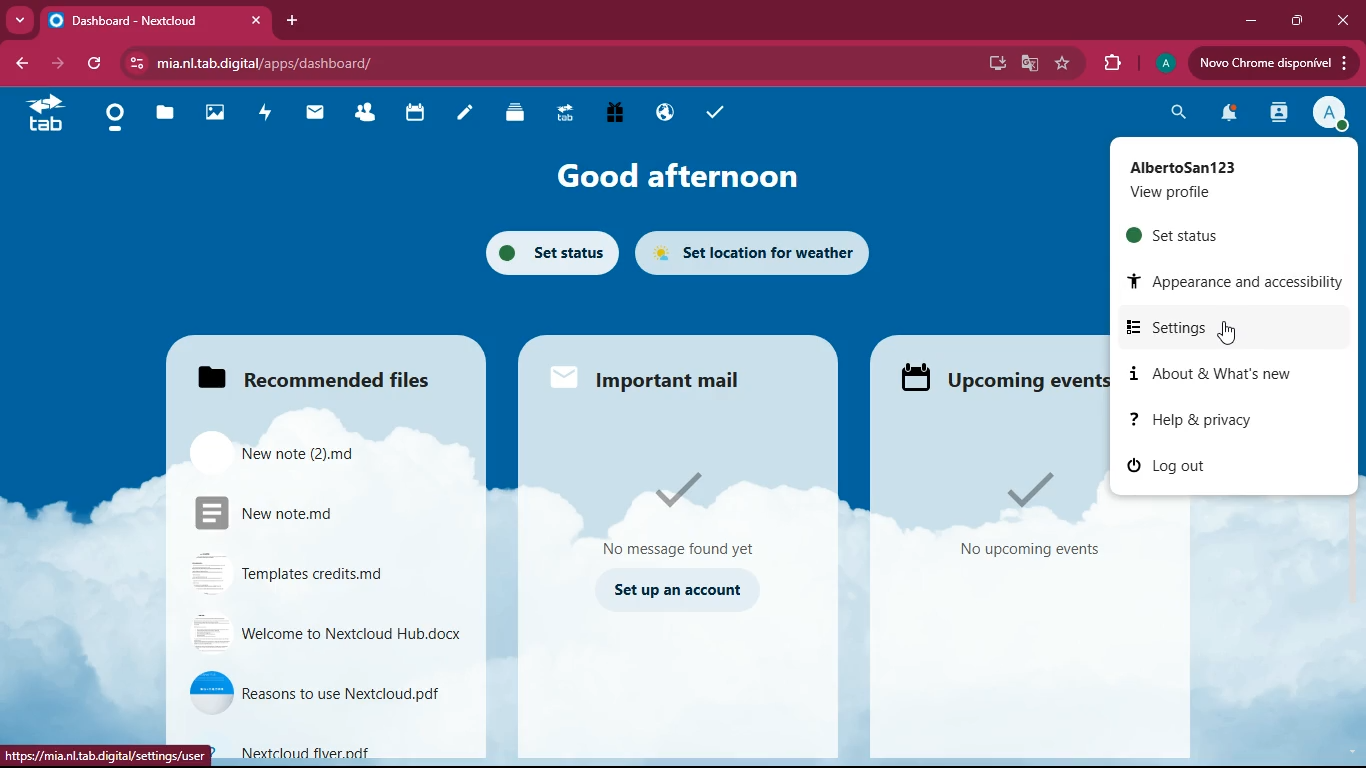 This screenshot has width=1366, height=768. Describe the element at coordinates (295, 62) in the screenshot. I see `url` at that location.